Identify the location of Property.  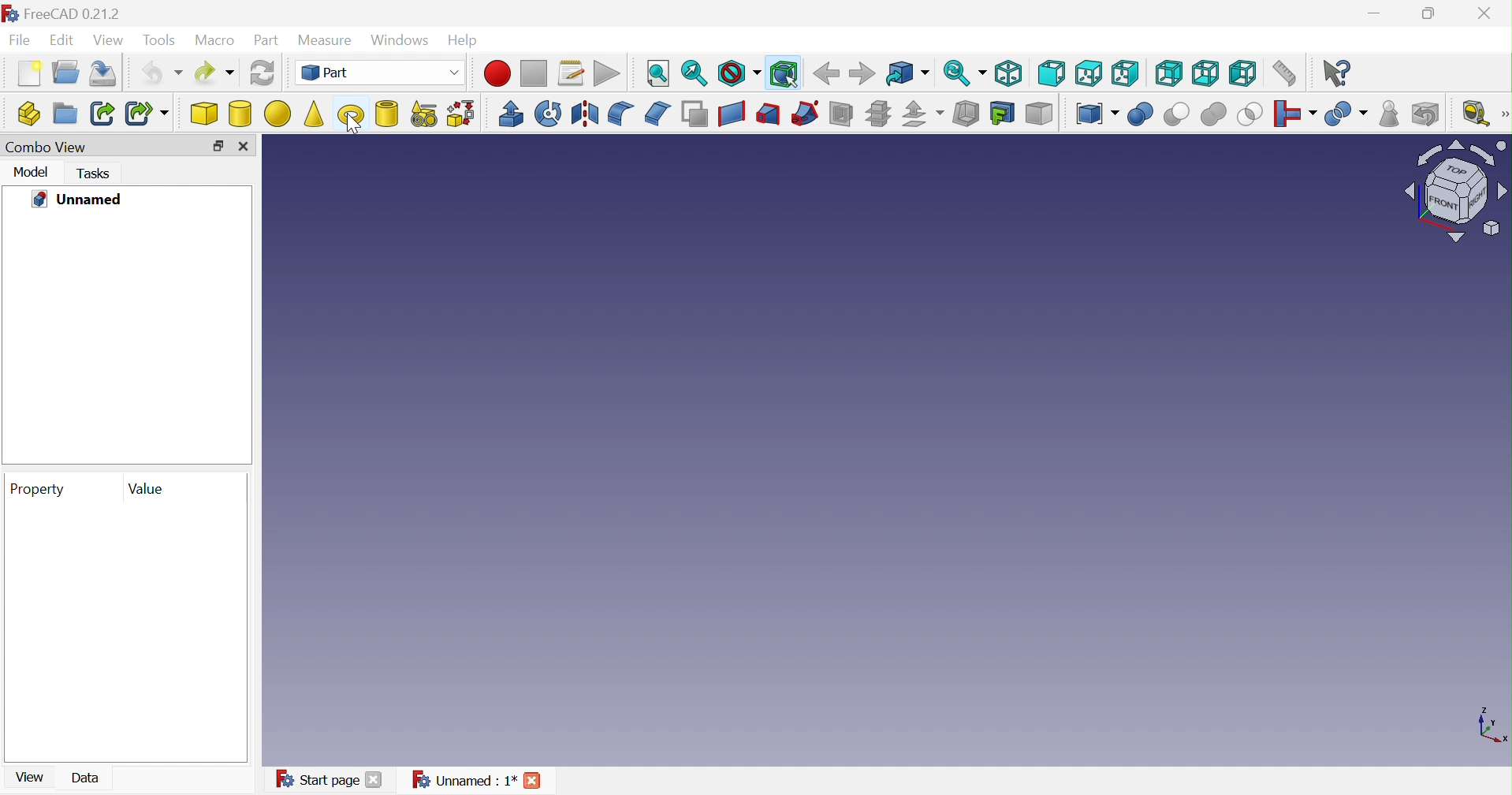
(36, 489).